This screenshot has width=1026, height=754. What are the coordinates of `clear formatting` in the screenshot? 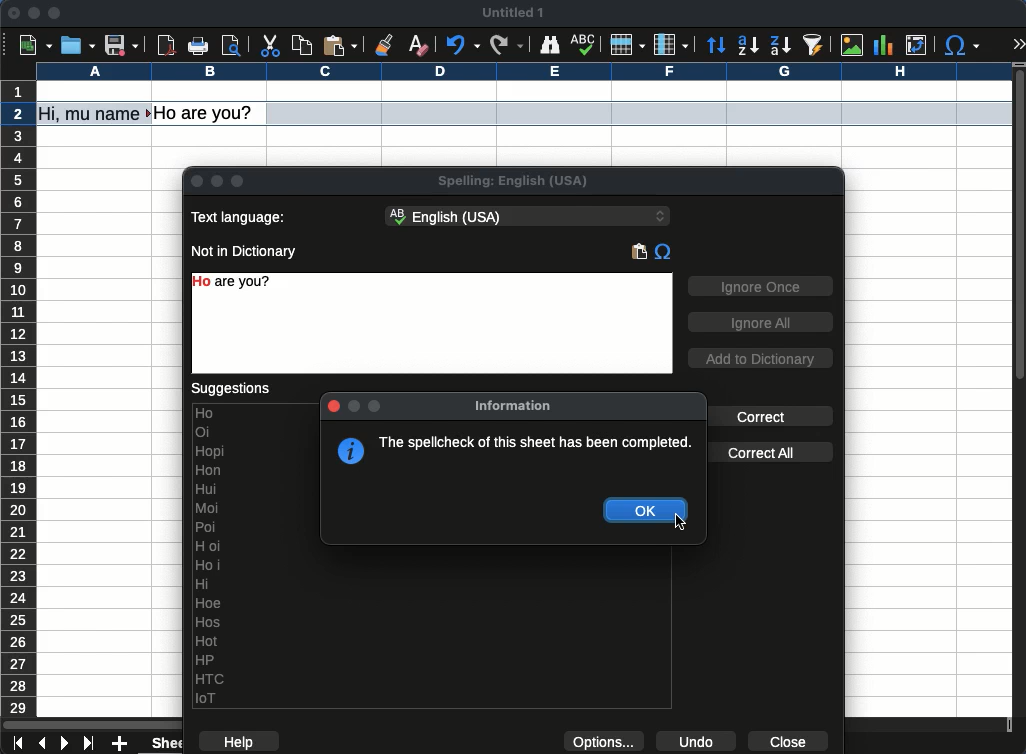 It's located at (421, 43).